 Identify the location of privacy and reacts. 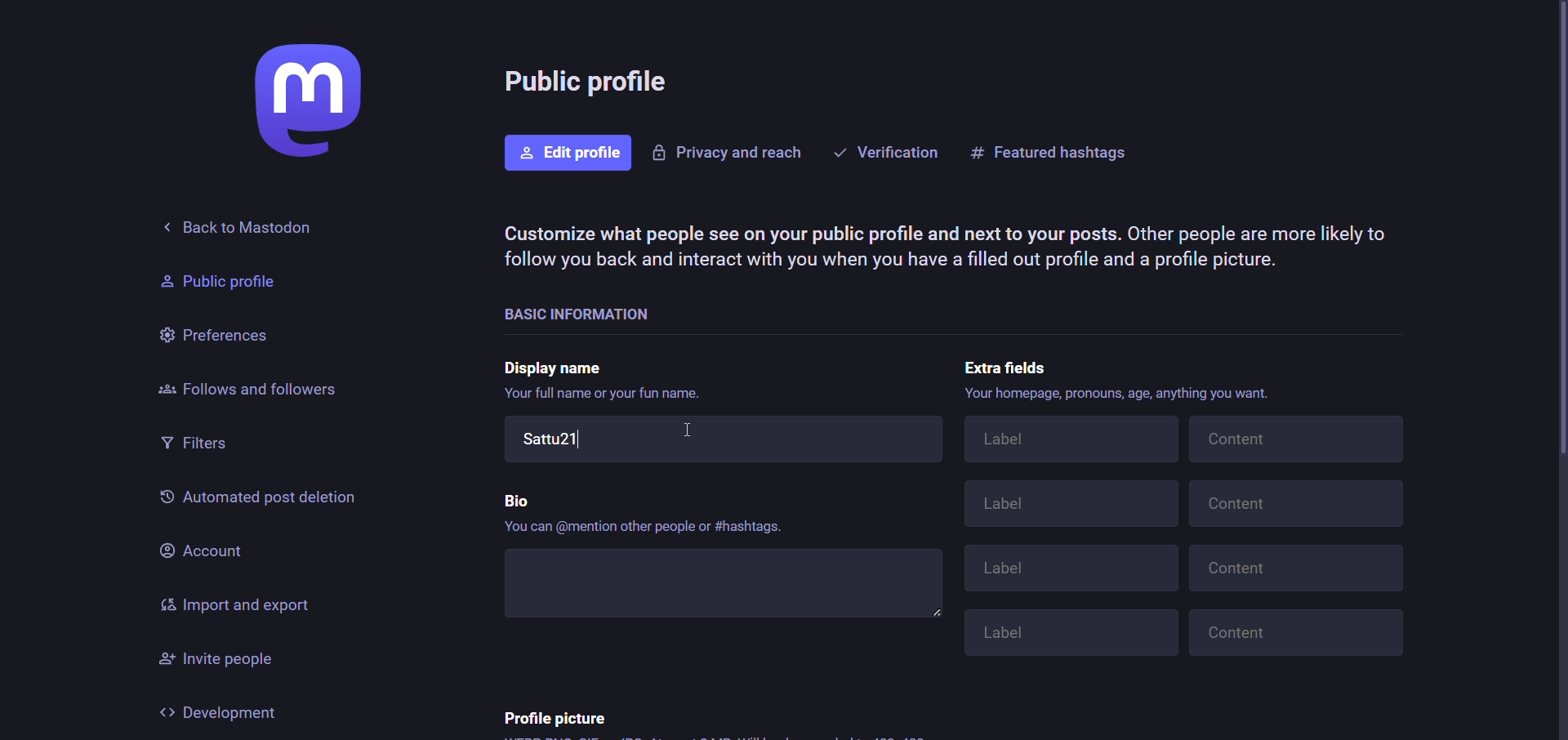
(727, 154).